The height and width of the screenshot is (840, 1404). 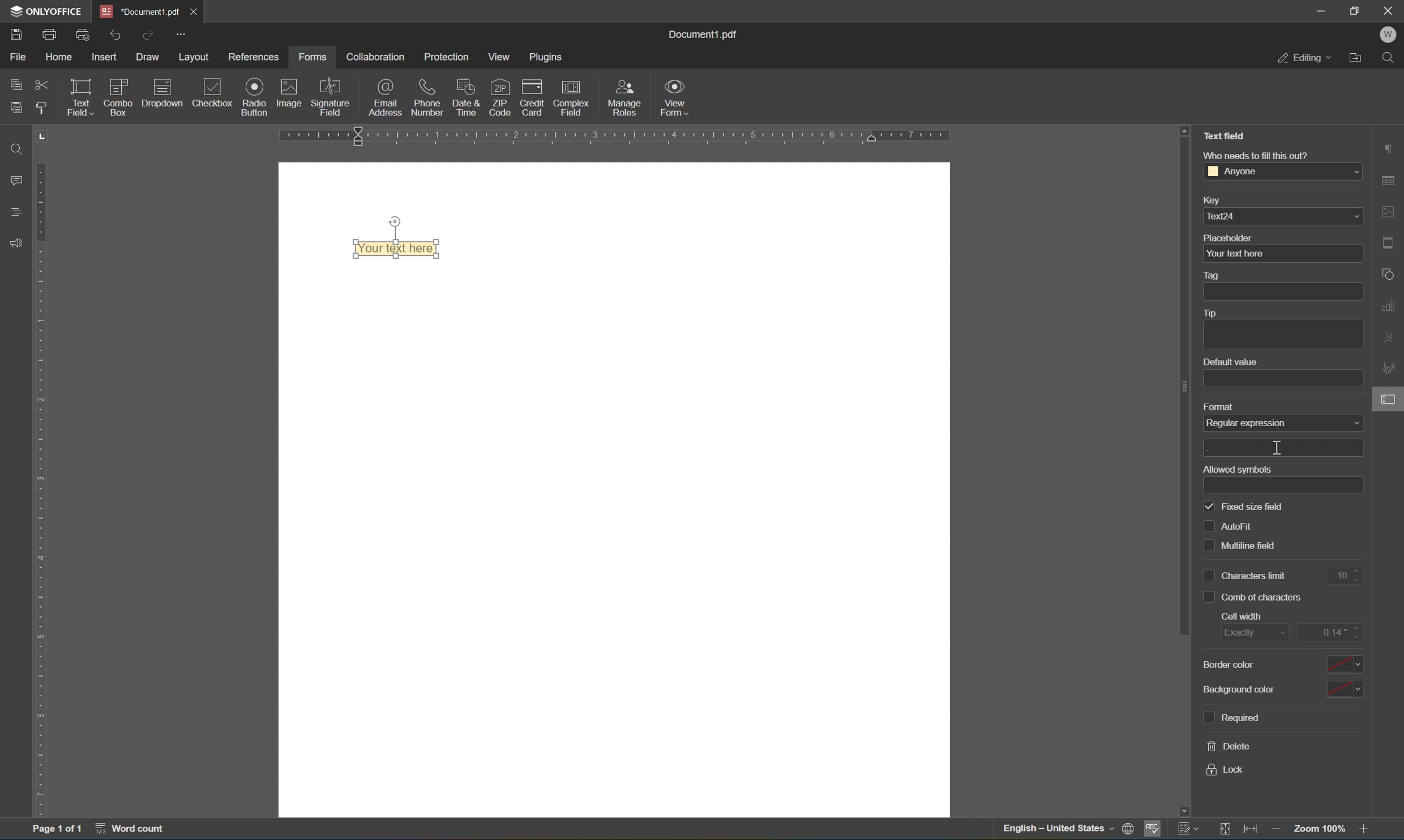 I want to click on placeholder, so click(x=1228, y=238).